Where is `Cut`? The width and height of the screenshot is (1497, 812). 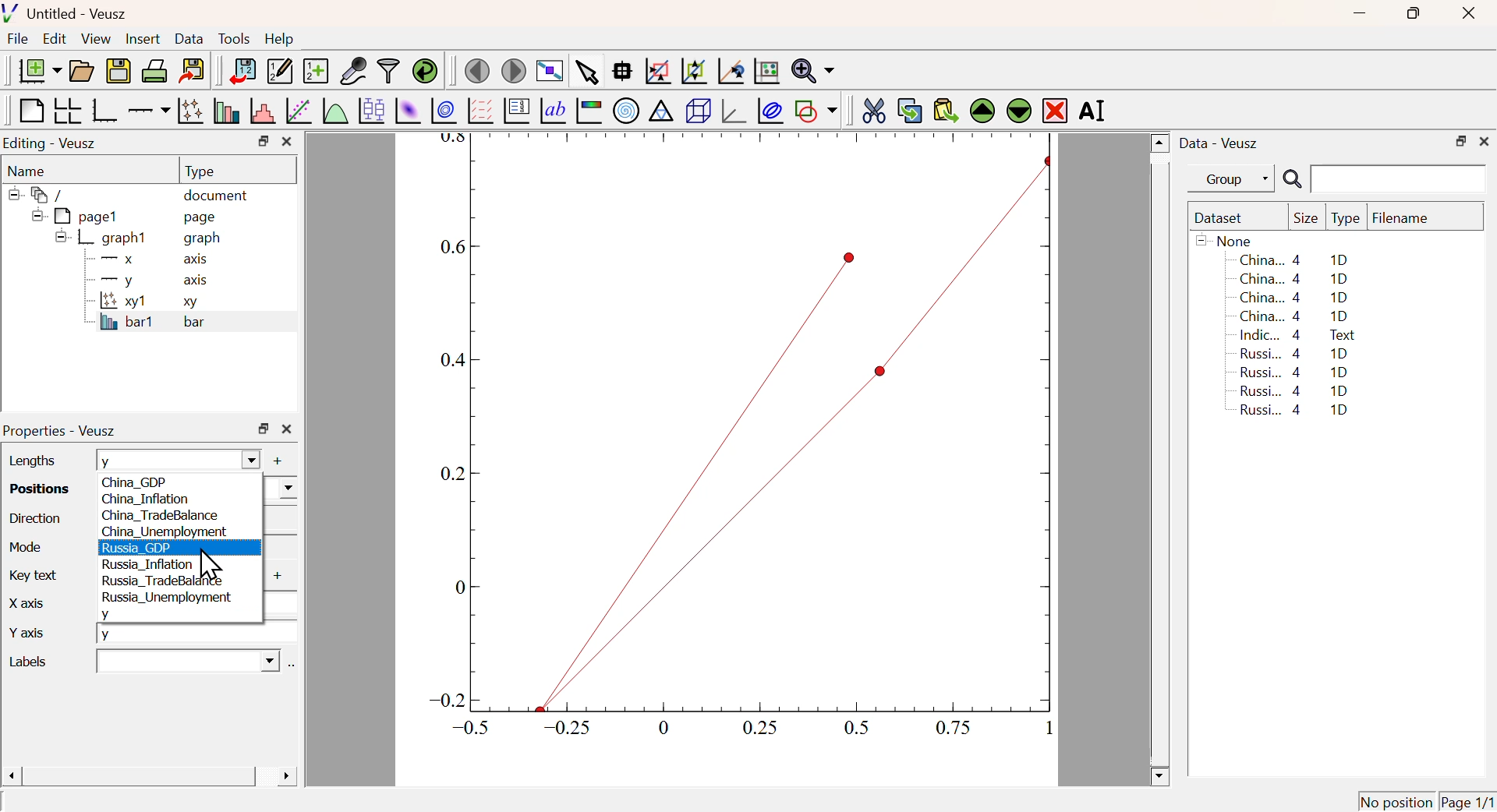
Cut is located at coordinates (873, 109).